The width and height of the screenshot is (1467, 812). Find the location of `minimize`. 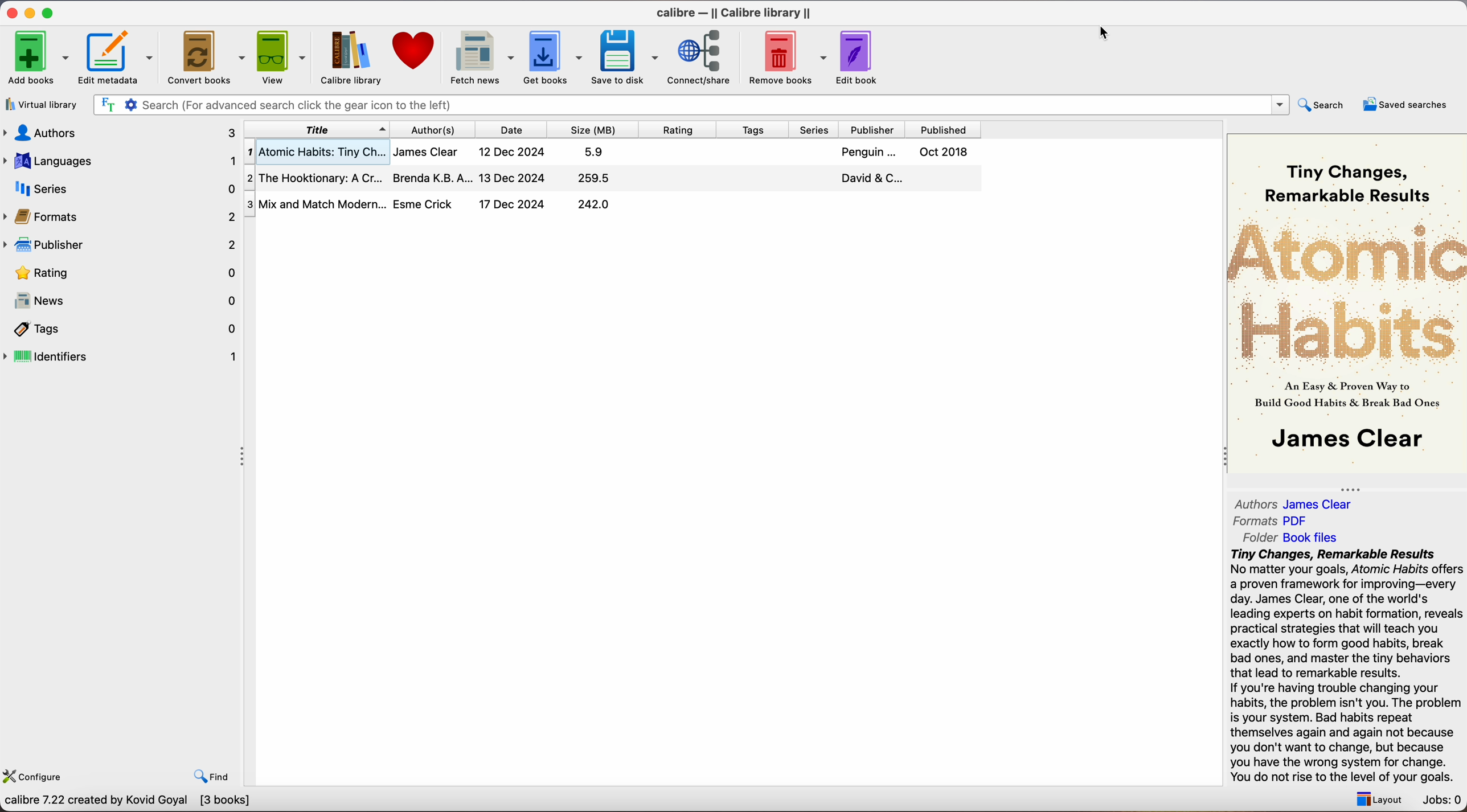

minimize is located at coordinates (32, 12).